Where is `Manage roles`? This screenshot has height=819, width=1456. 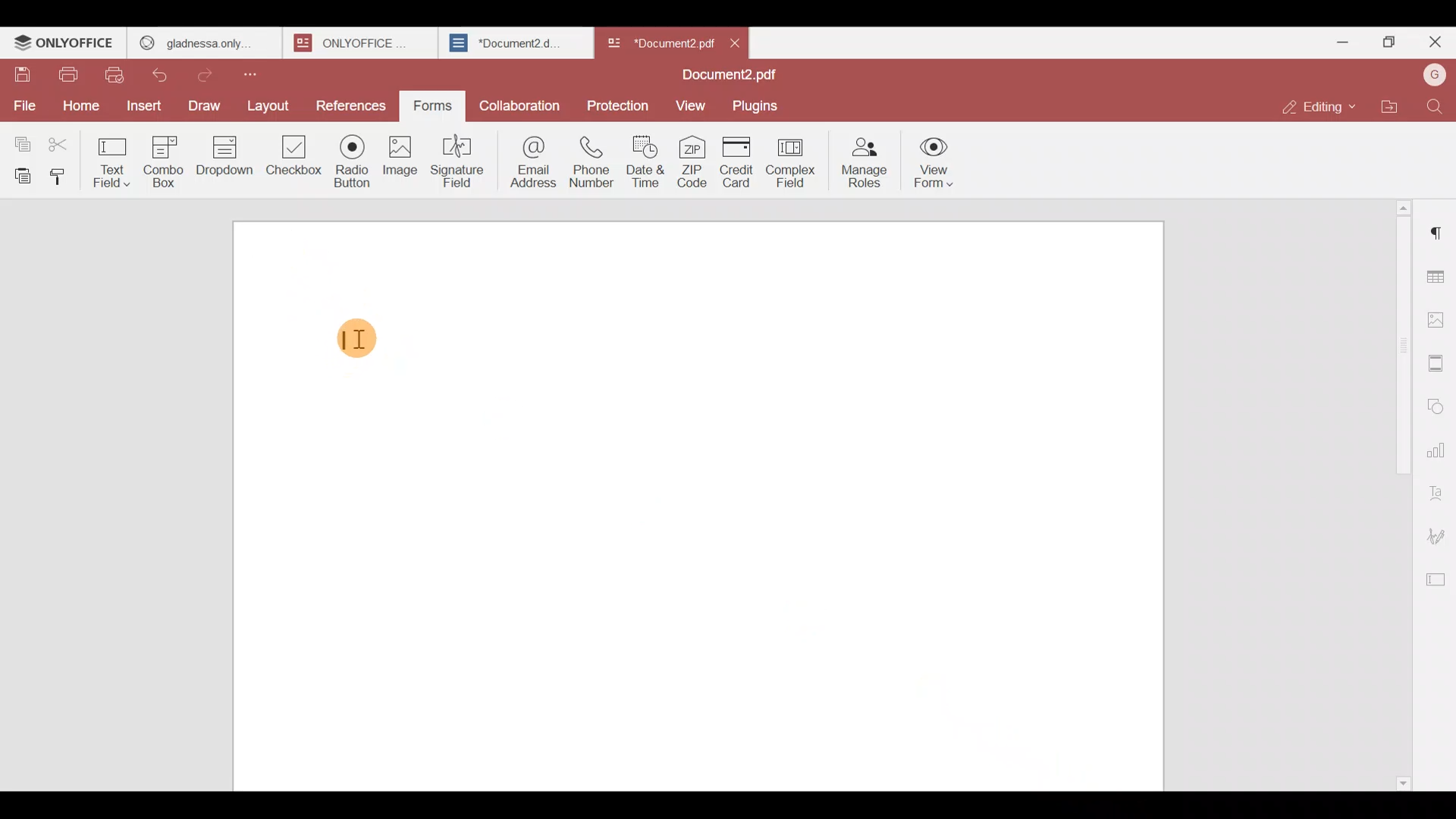 Manage roles is located at coordinates (864, 160).